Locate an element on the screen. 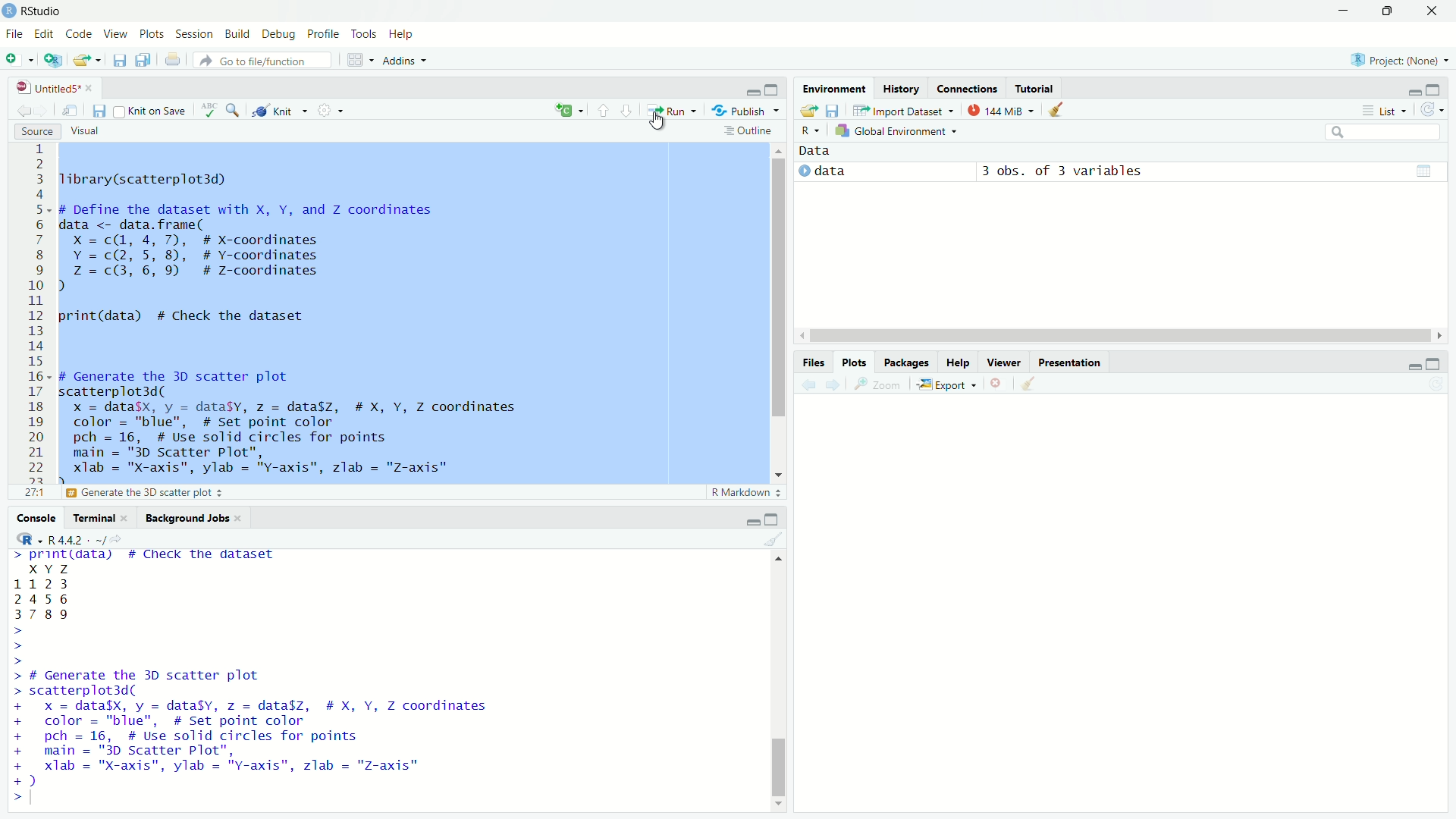 The width and height of the screenshot is (1456, 819). 2456 is located at coordinates (42, 598).